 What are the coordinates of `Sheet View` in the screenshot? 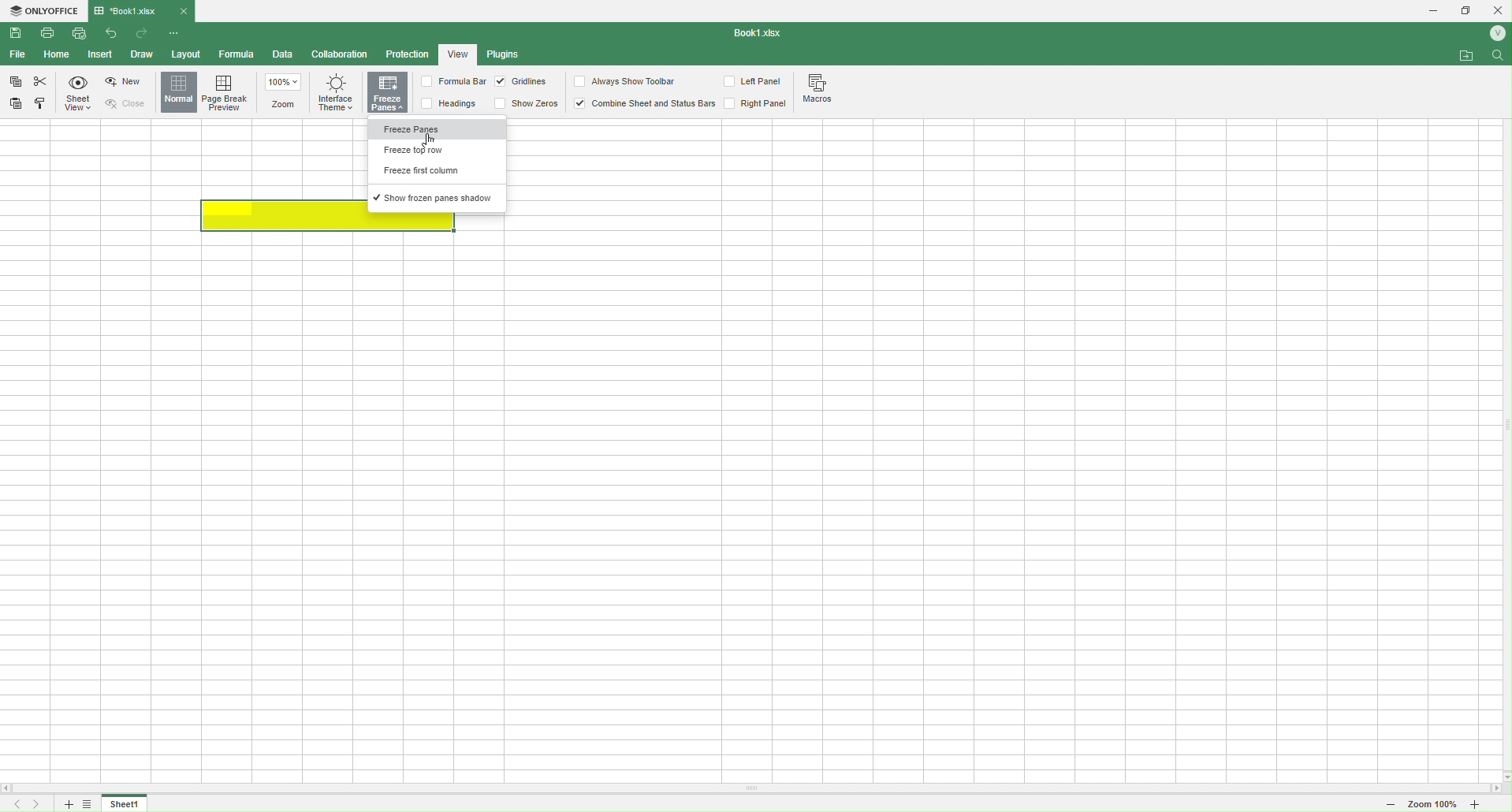 It's located at (80, 95).